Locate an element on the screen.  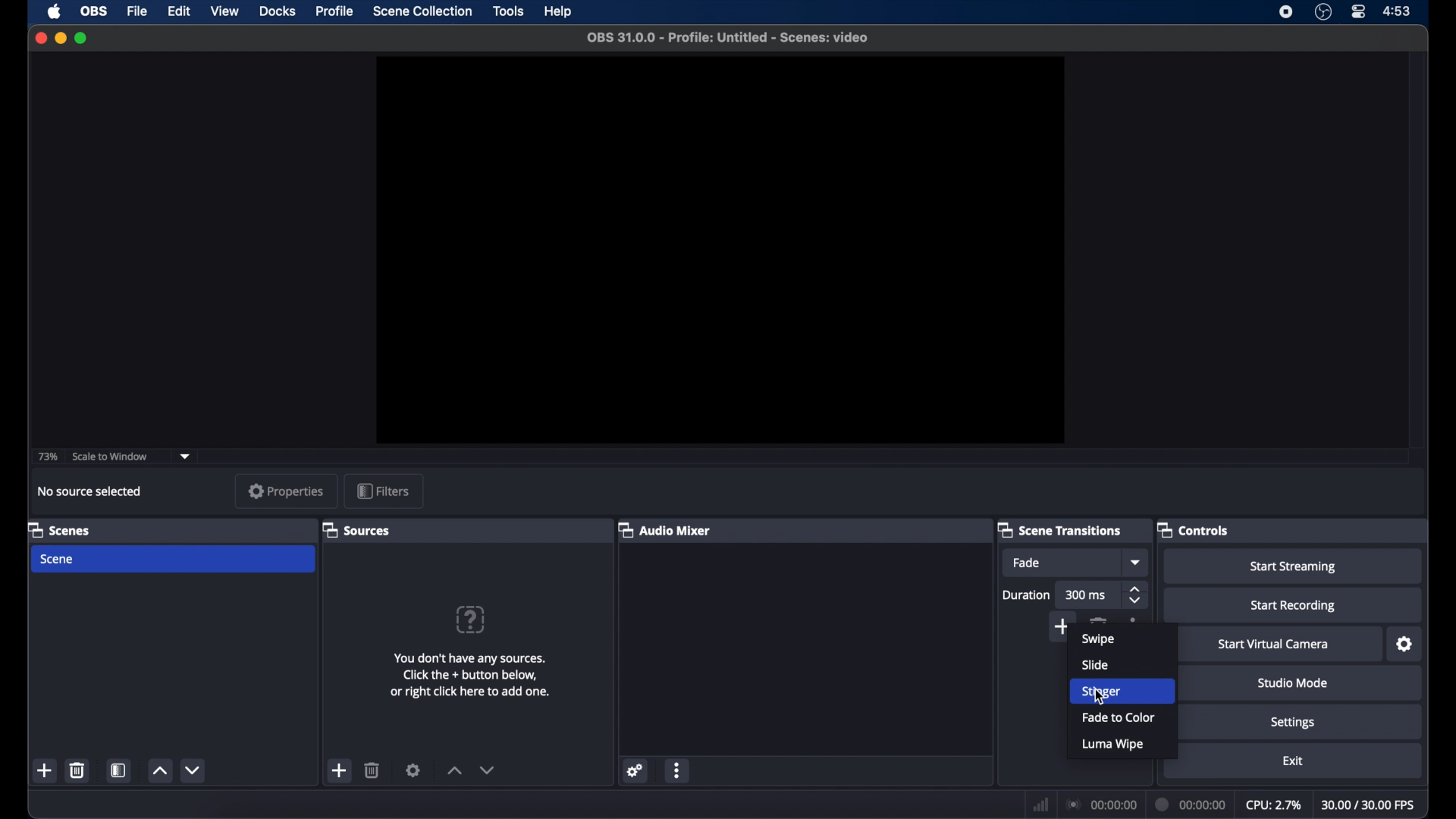
controls is located at coordinates (1193, 529).